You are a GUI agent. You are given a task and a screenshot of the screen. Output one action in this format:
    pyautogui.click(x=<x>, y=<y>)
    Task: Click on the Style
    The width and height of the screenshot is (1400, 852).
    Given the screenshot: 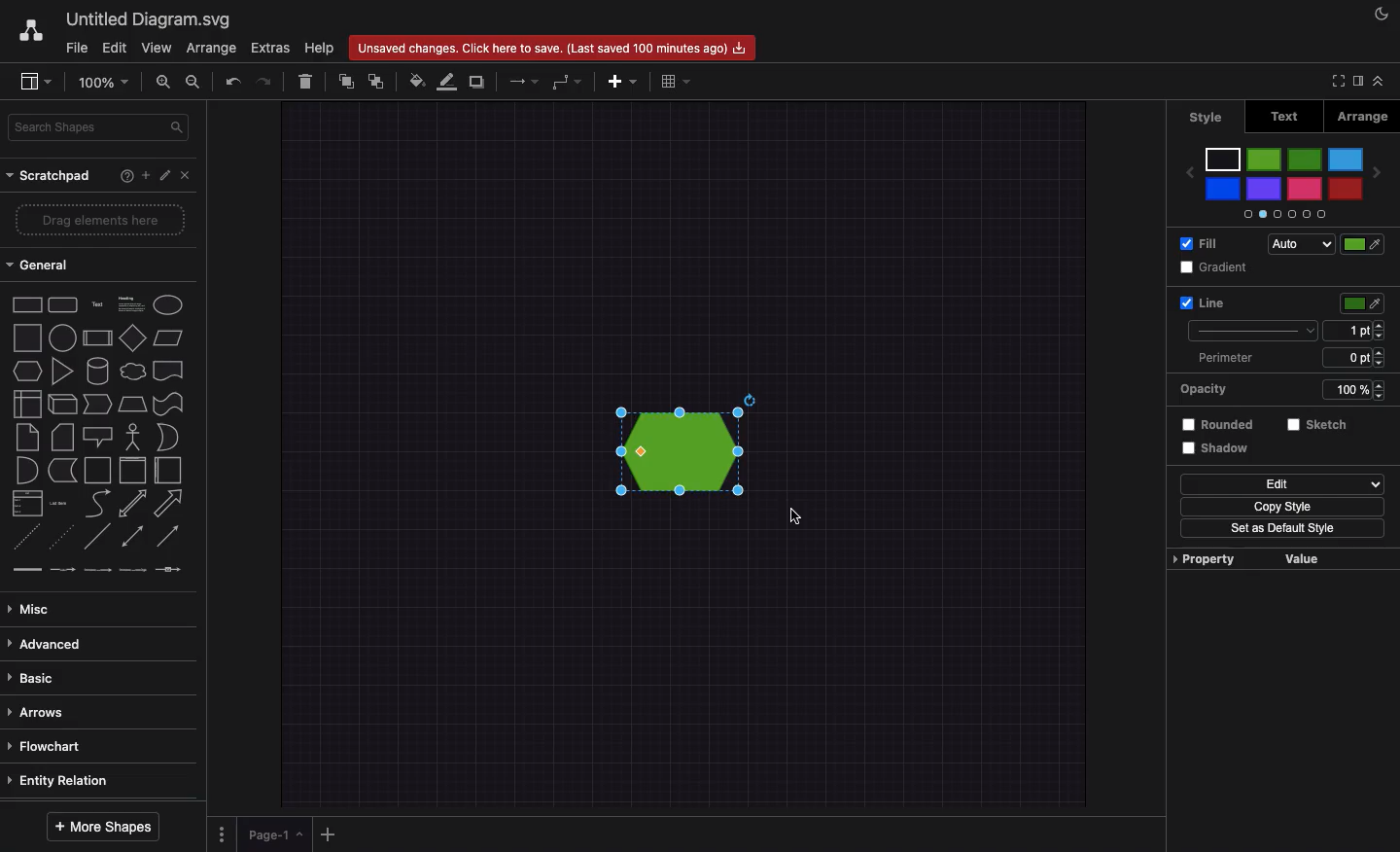 What is the action you would take?
    pyautogui.click(x=1211, y=118)
    